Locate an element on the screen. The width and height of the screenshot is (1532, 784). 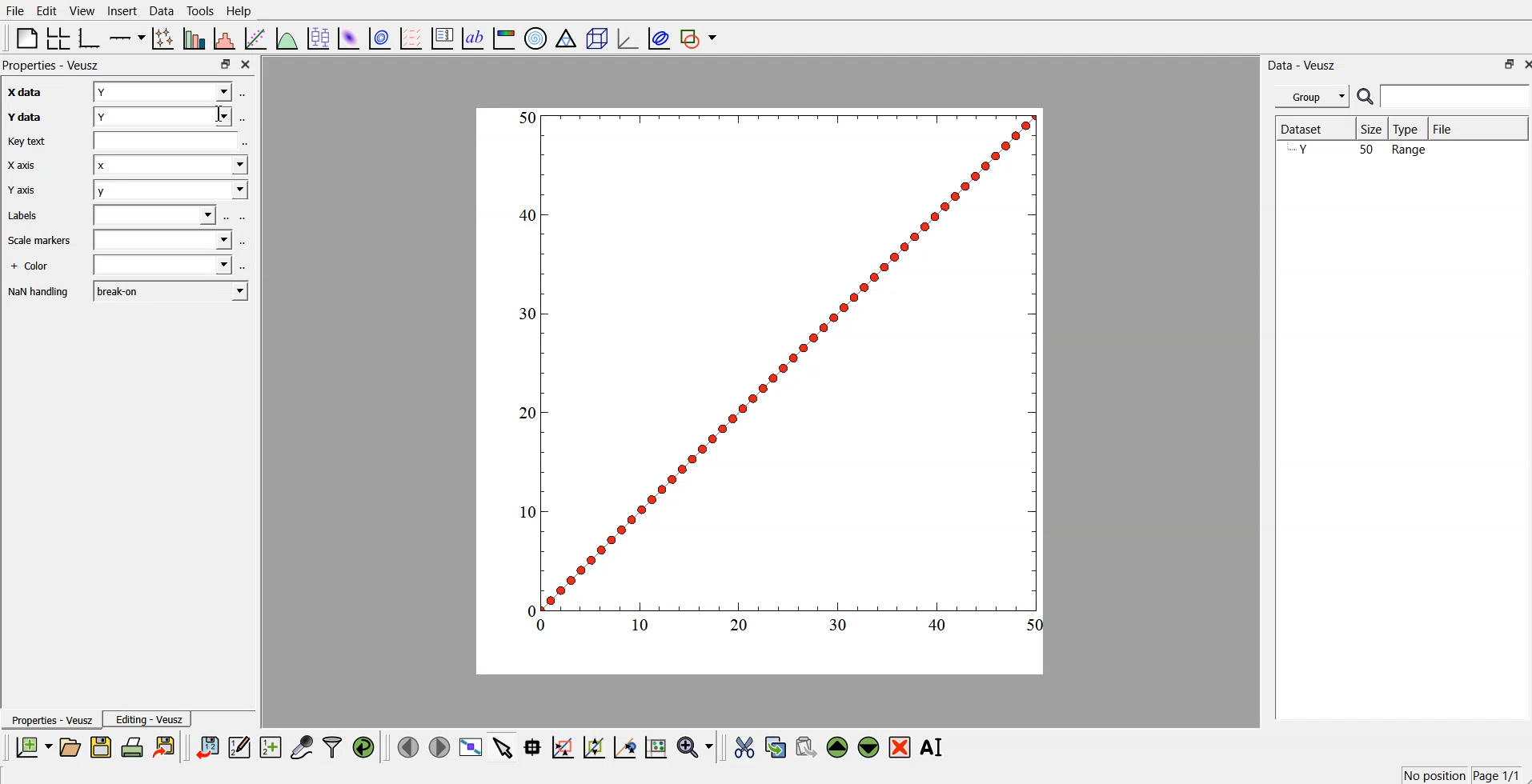
import data points is located at coordinates (208, 748).